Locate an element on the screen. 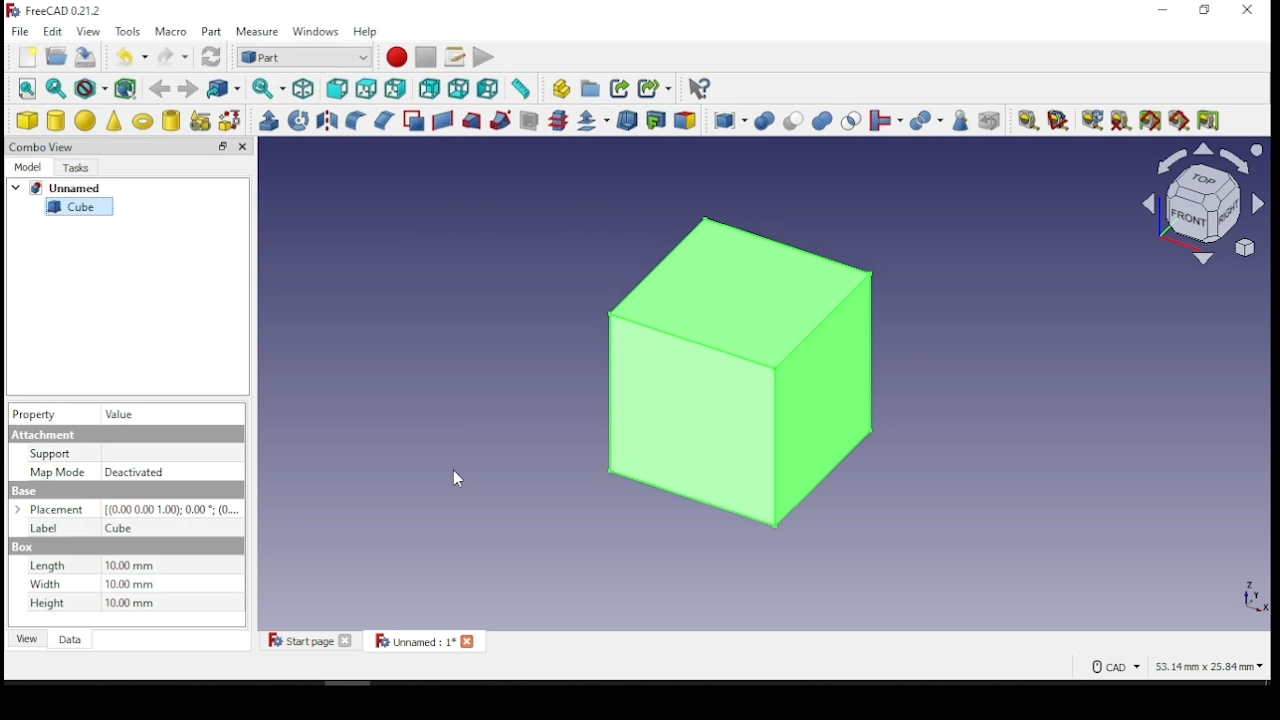 The image size is (1280, 720). undo is located at coordinates (132, 55).